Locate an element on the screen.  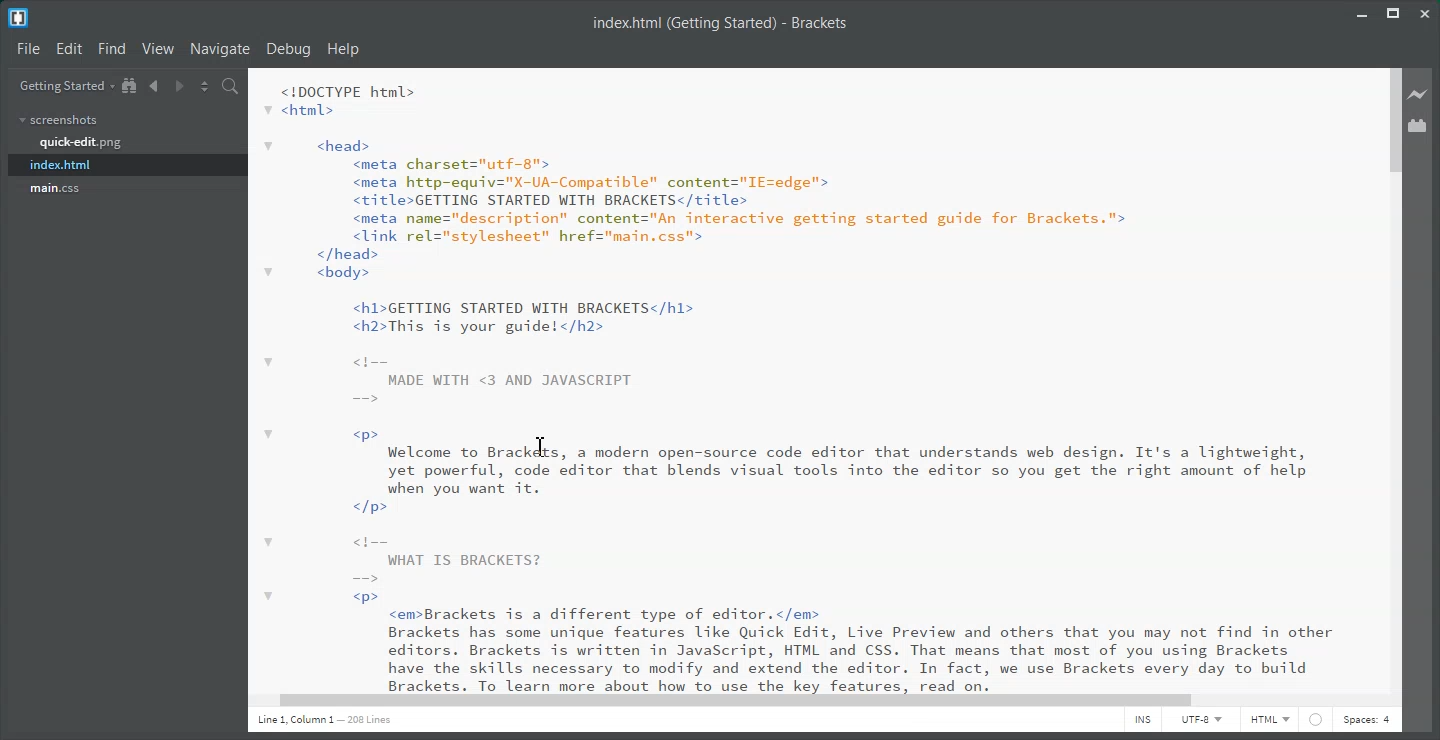
View is located at coordinates (161, 49).